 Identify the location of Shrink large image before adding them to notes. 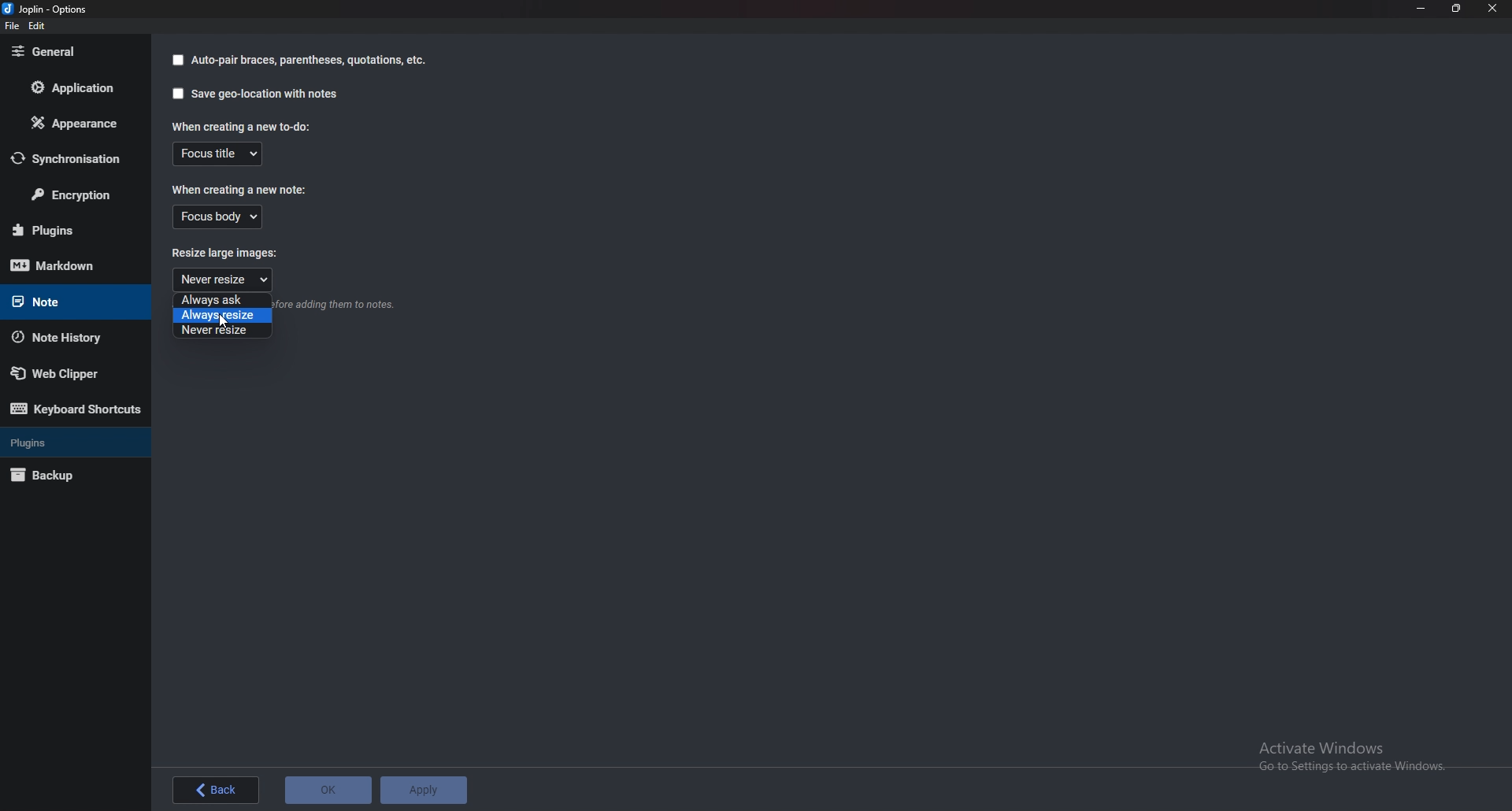
(337, 306).